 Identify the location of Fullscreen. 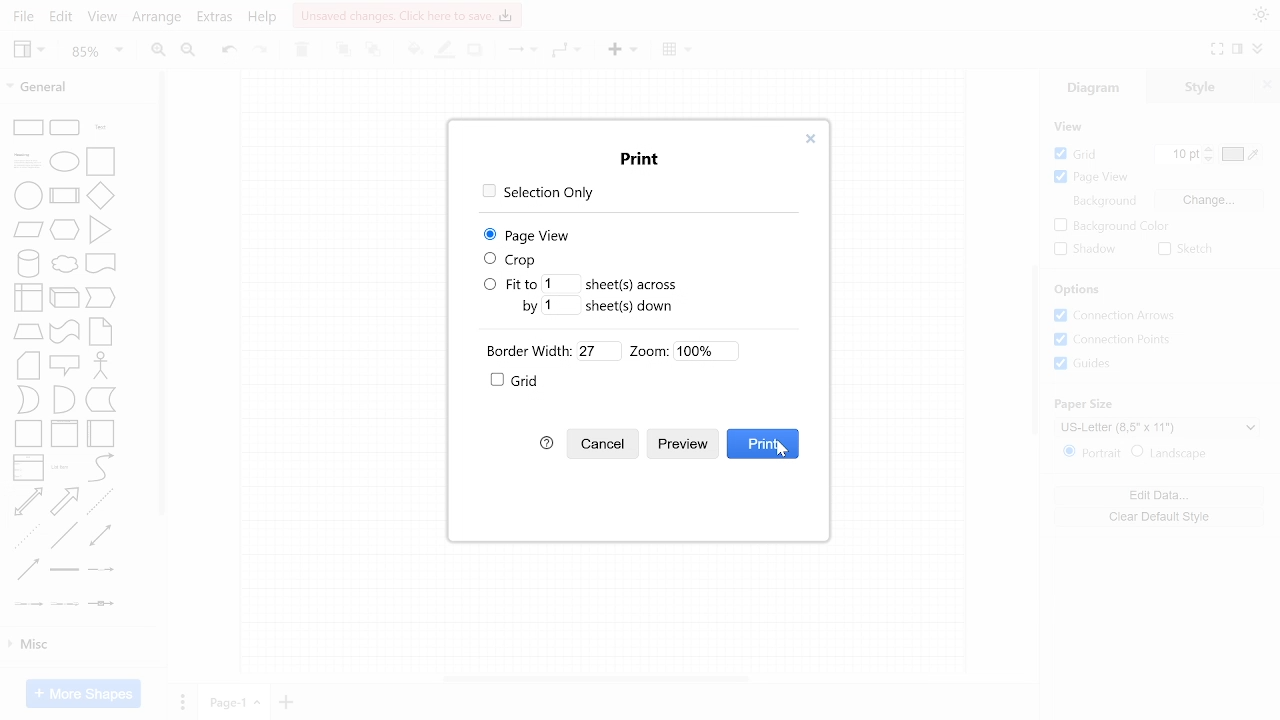
(1218, 49).